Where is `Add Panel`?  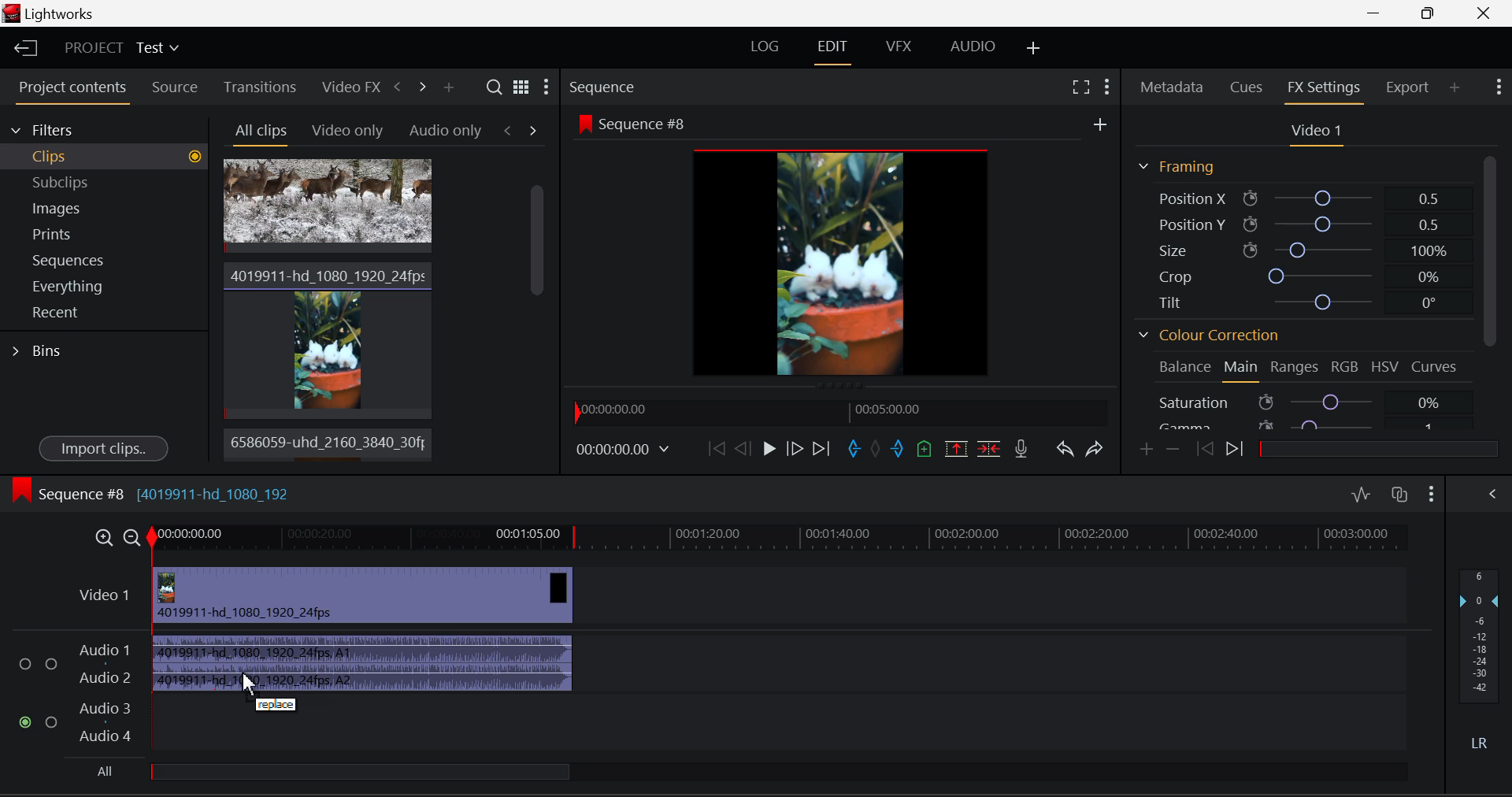
Add Panel is located at coordinates (1455, 89).